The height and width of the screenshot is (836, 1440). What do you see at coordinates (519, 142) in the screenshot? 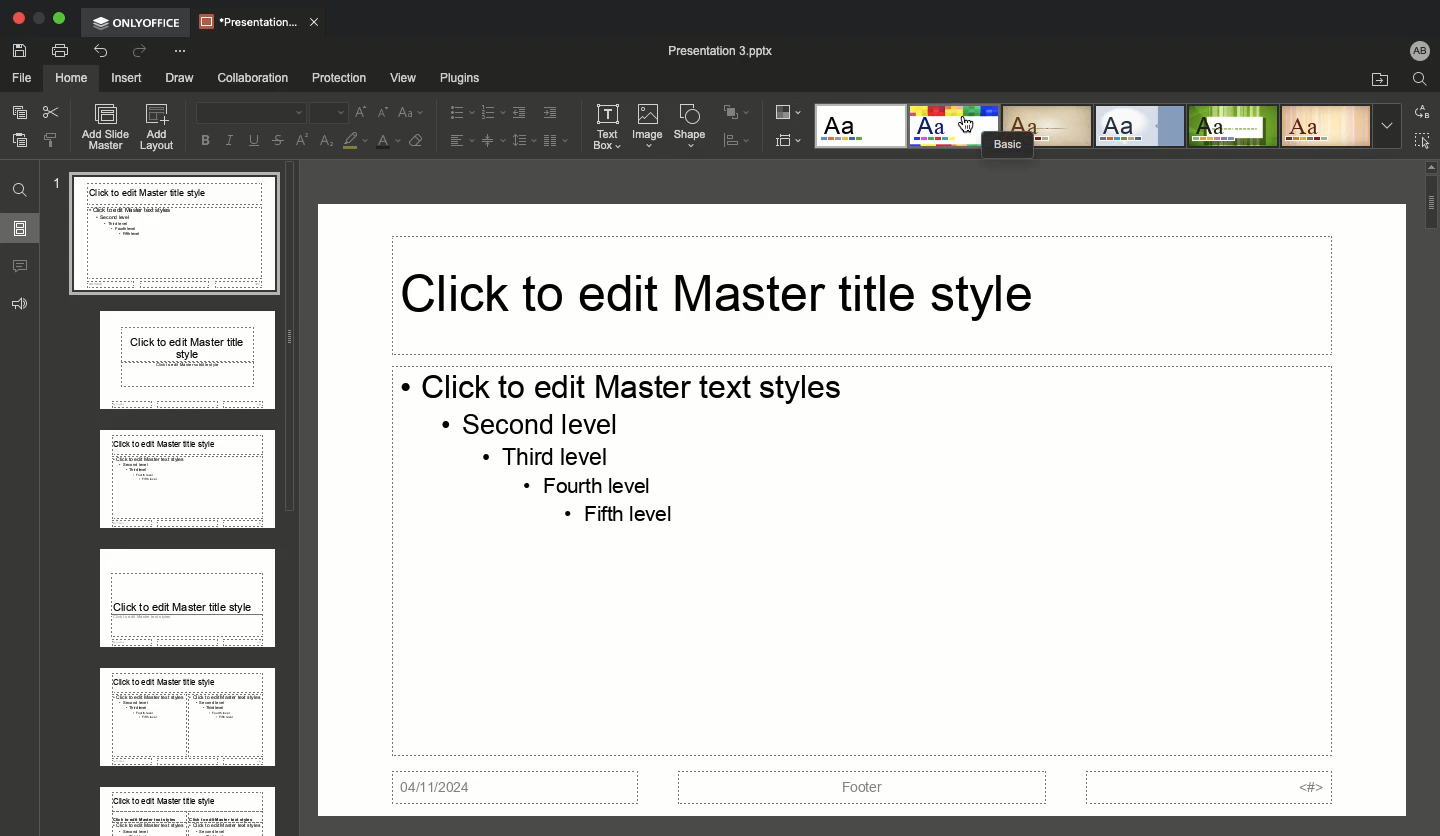
I see `Line spacing` at bounding box center [519, 142].